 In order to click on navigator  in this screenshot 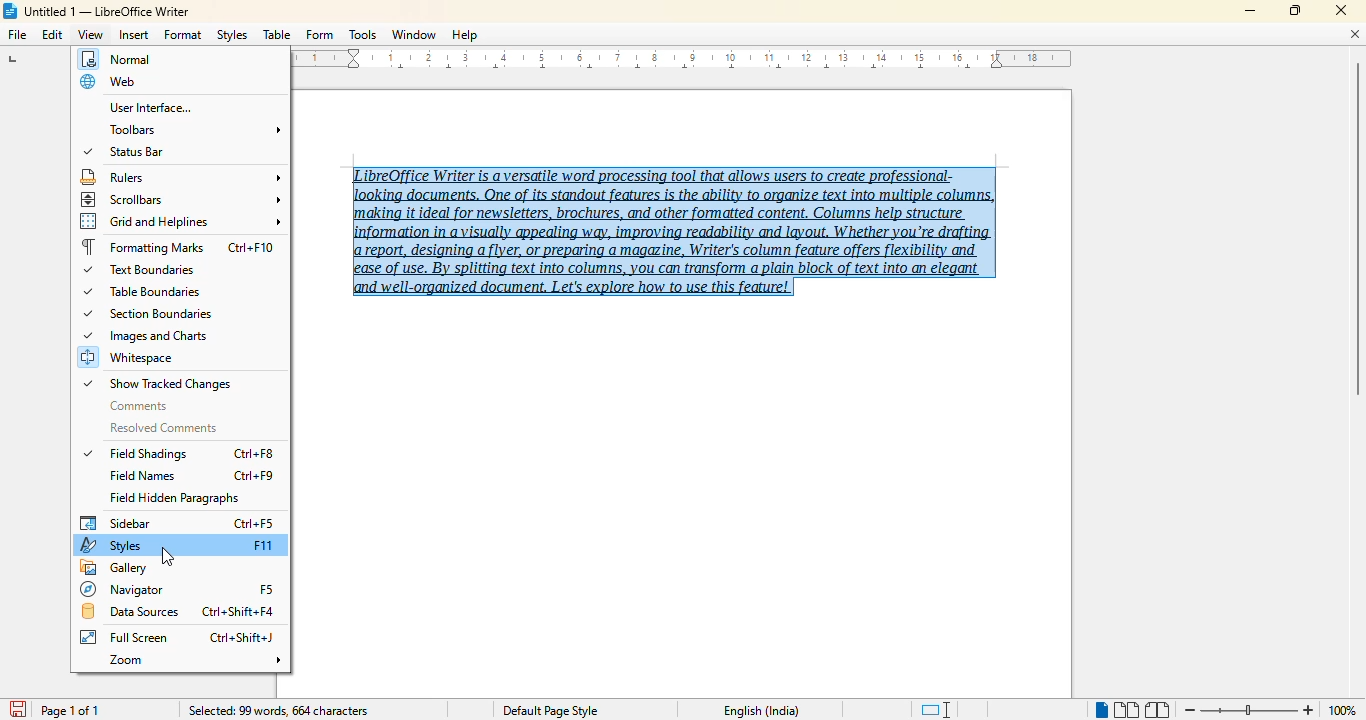, I will do `click(177, 589)`.